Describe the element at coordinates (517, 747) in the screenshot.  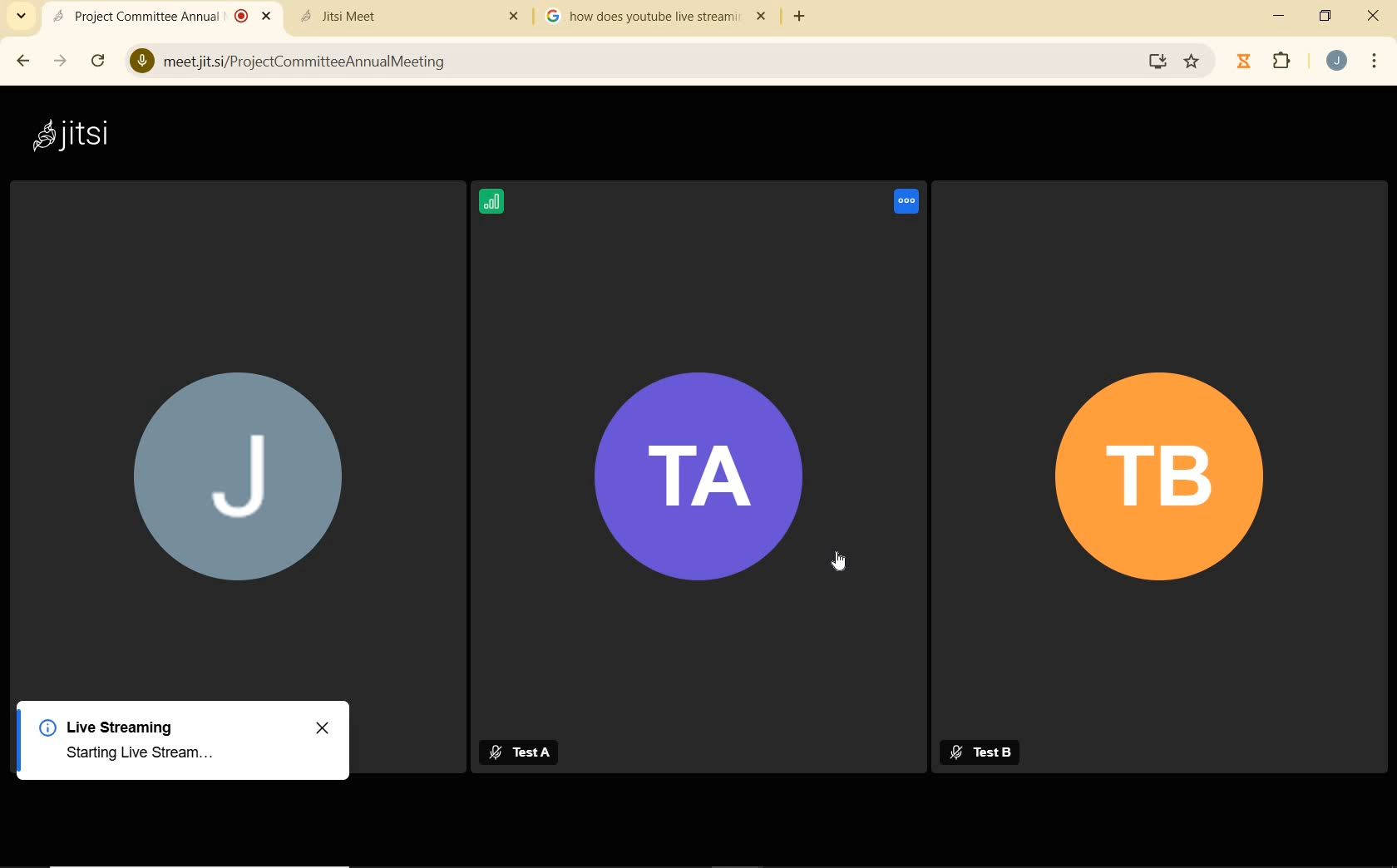
I see `Test A` at that location.